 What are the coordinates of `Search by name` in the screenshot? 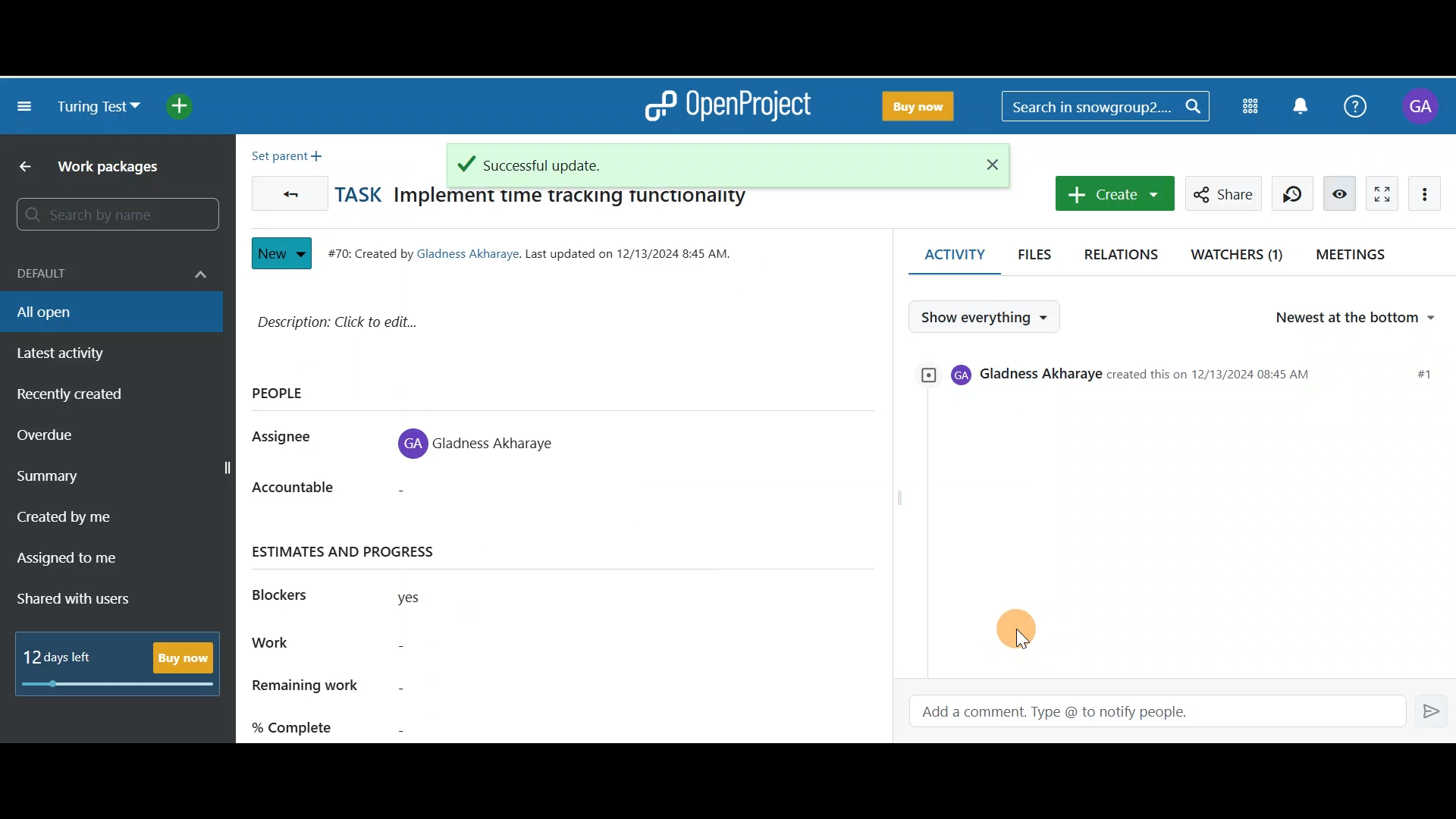 It's located at (114, 215).